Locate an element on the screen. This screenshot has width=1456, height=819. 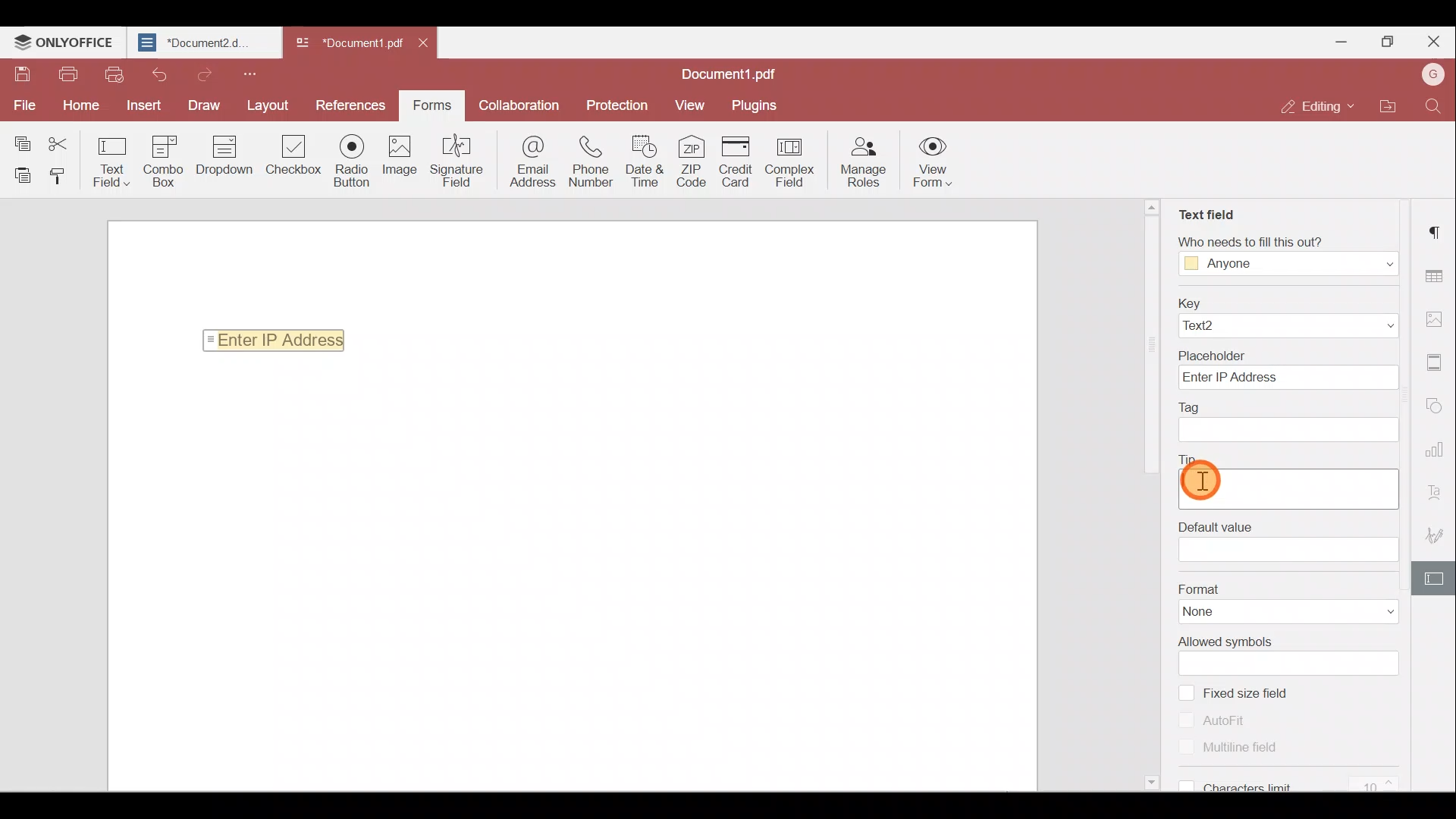
Allowed symbols field is located at coordinates (1297, 664).